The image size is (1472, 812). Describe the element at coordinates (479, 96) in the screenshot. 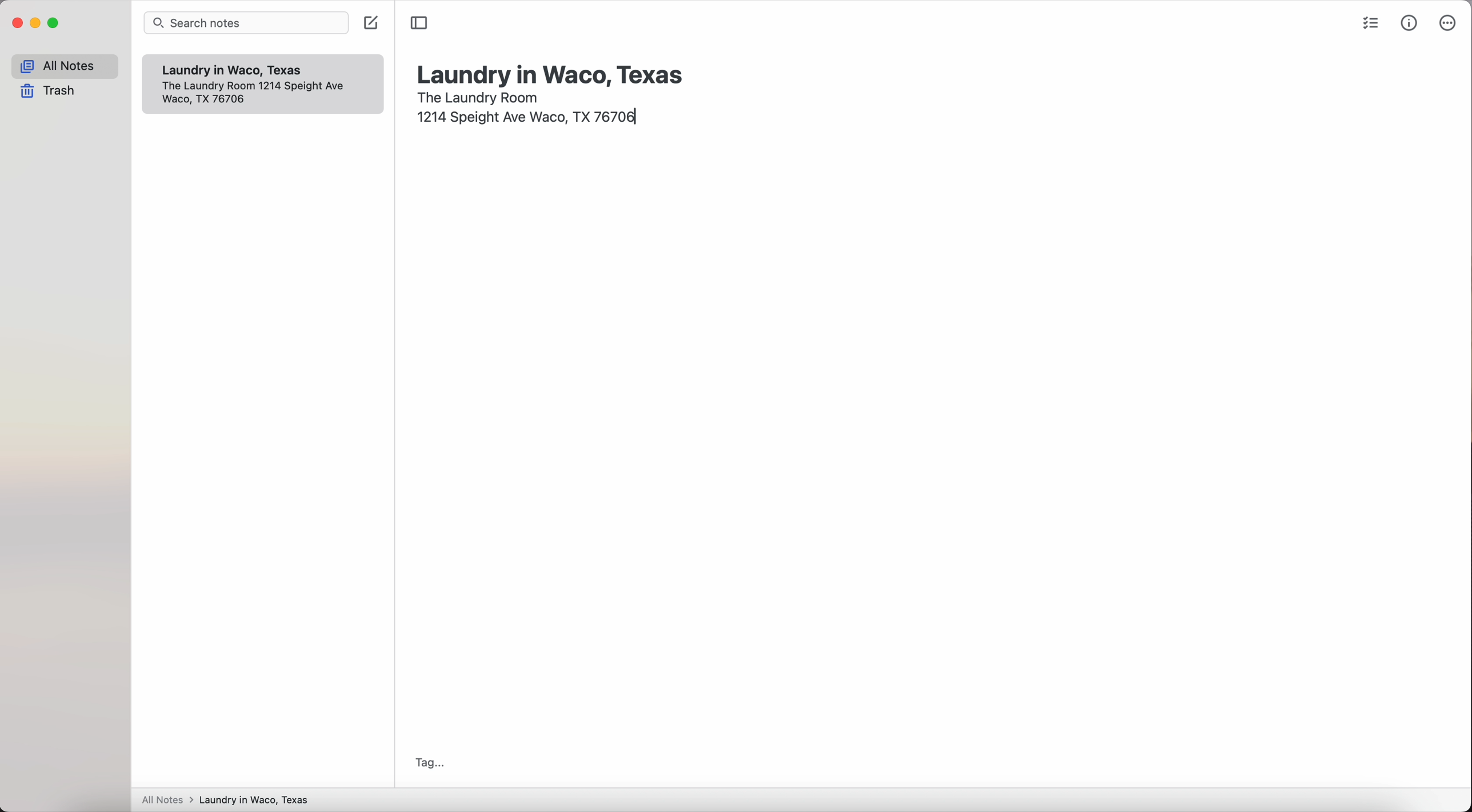

I see `the laundry room` at that location.